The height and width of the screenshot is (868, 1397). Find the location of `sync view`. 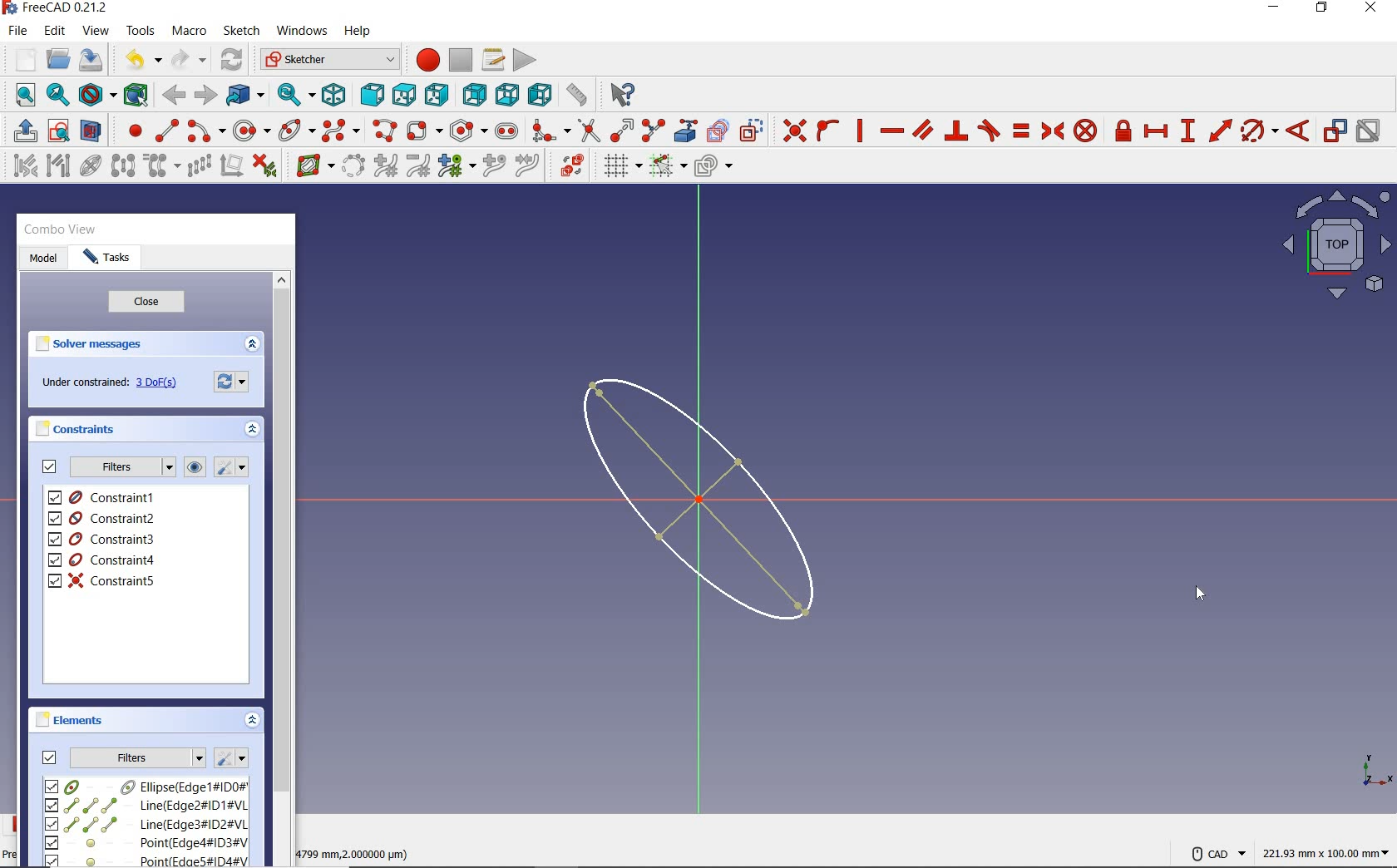

sync view is located at coordinates (297, 95).